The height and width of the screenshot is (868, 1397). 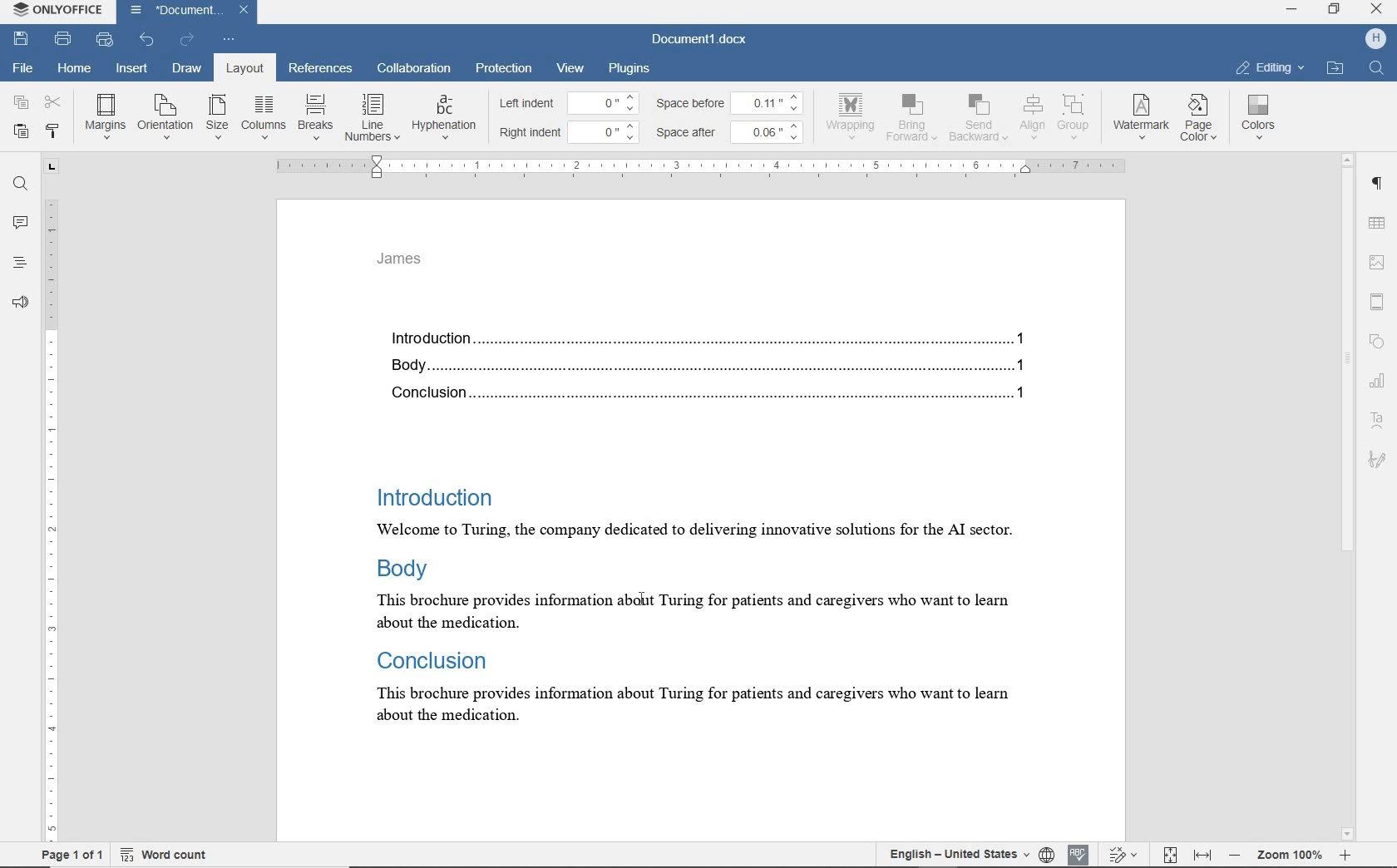 I want to click on comments, so click(x=20, y=223).